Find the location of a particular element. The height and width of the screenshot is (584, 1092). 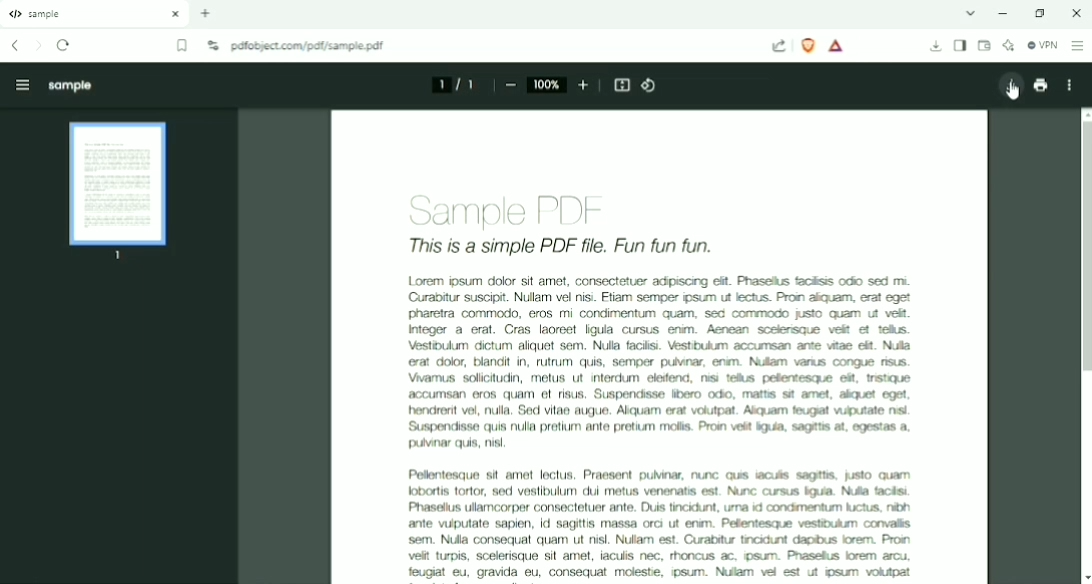

Customize and control brave is located at coordinates (1078, 45).